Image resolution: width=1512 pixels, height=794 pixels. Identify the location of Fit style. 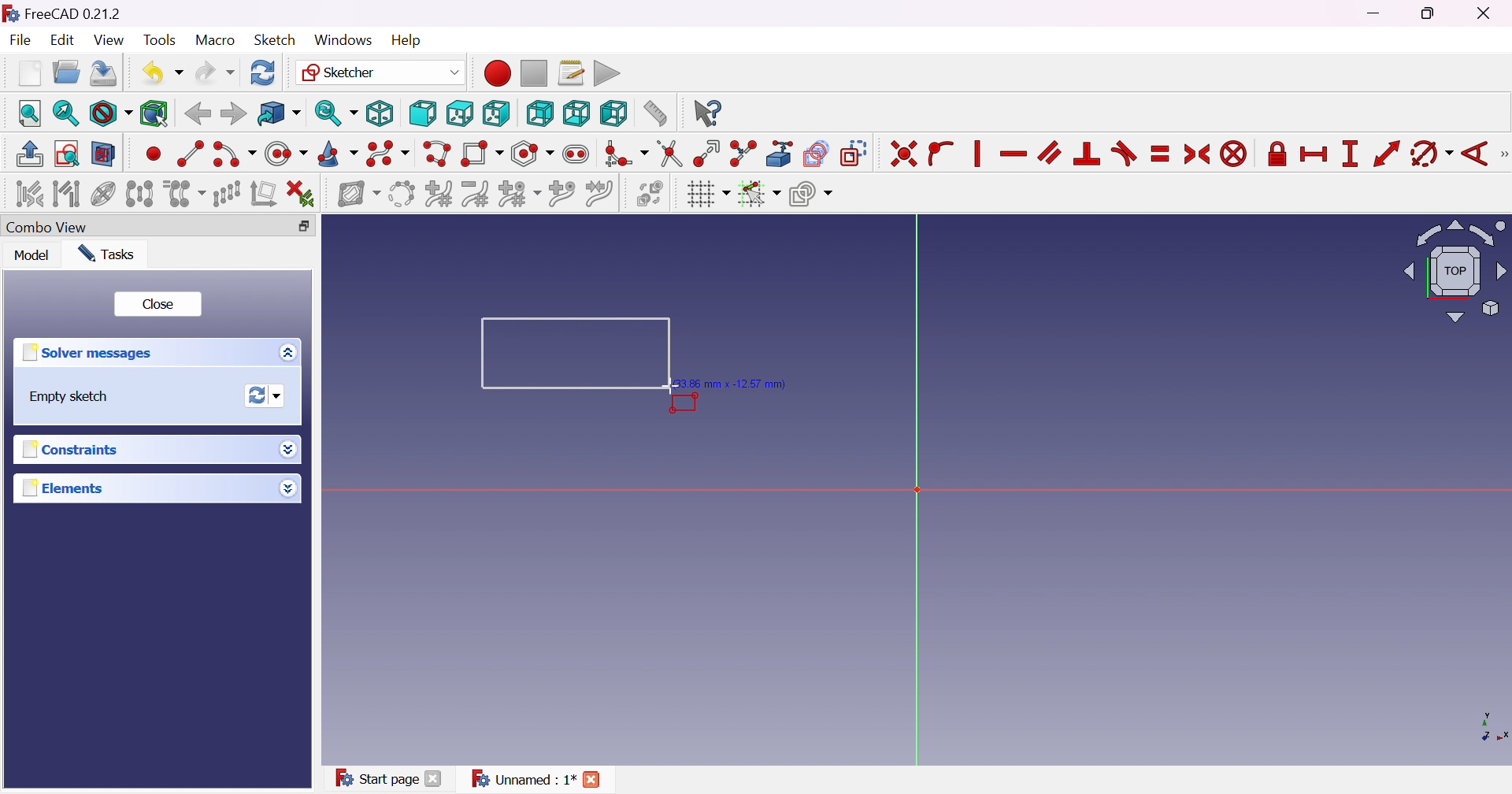
(109, 113).